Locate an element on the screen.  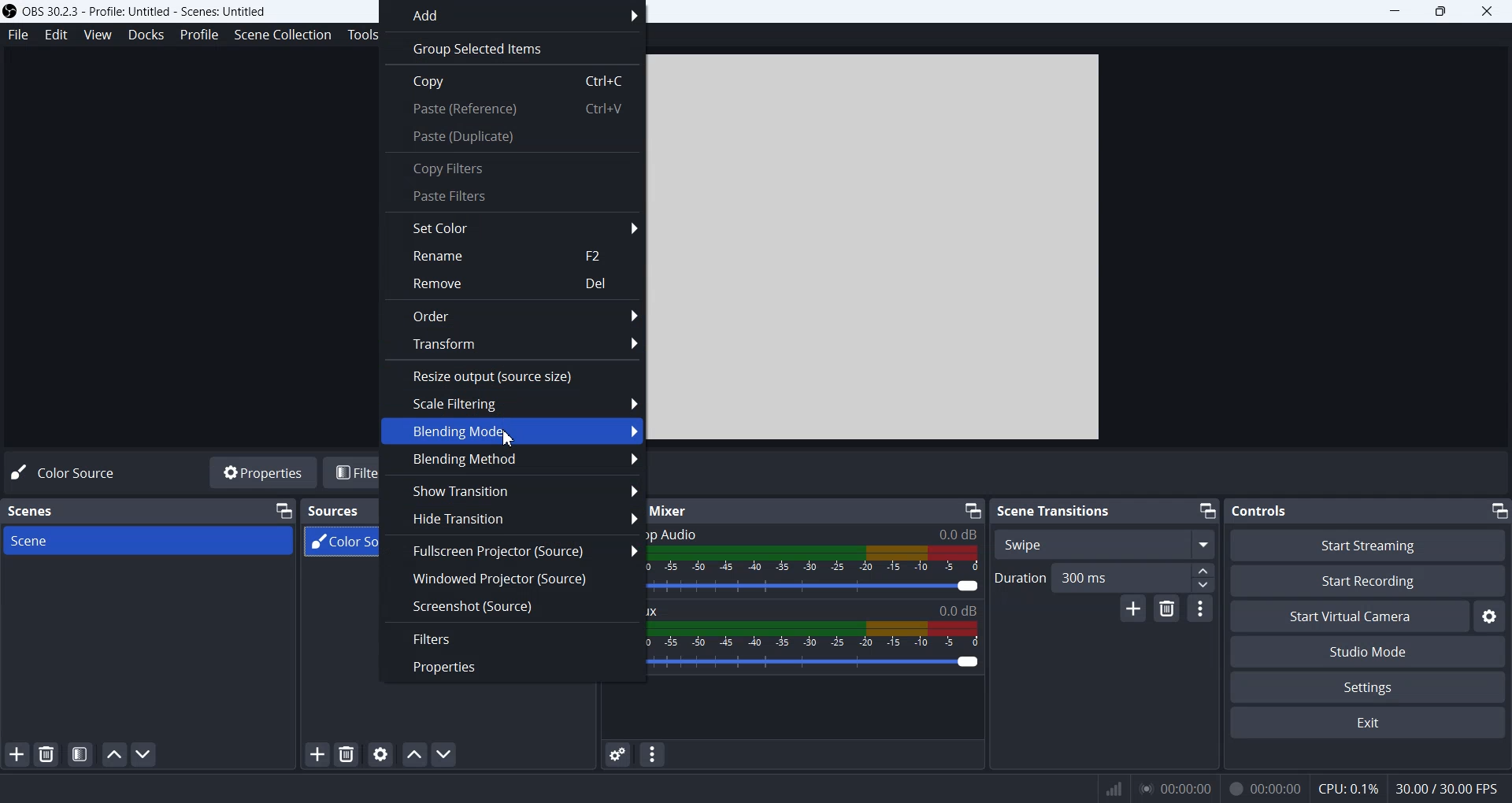
Paste (references) is located at coordinates (511, 112).